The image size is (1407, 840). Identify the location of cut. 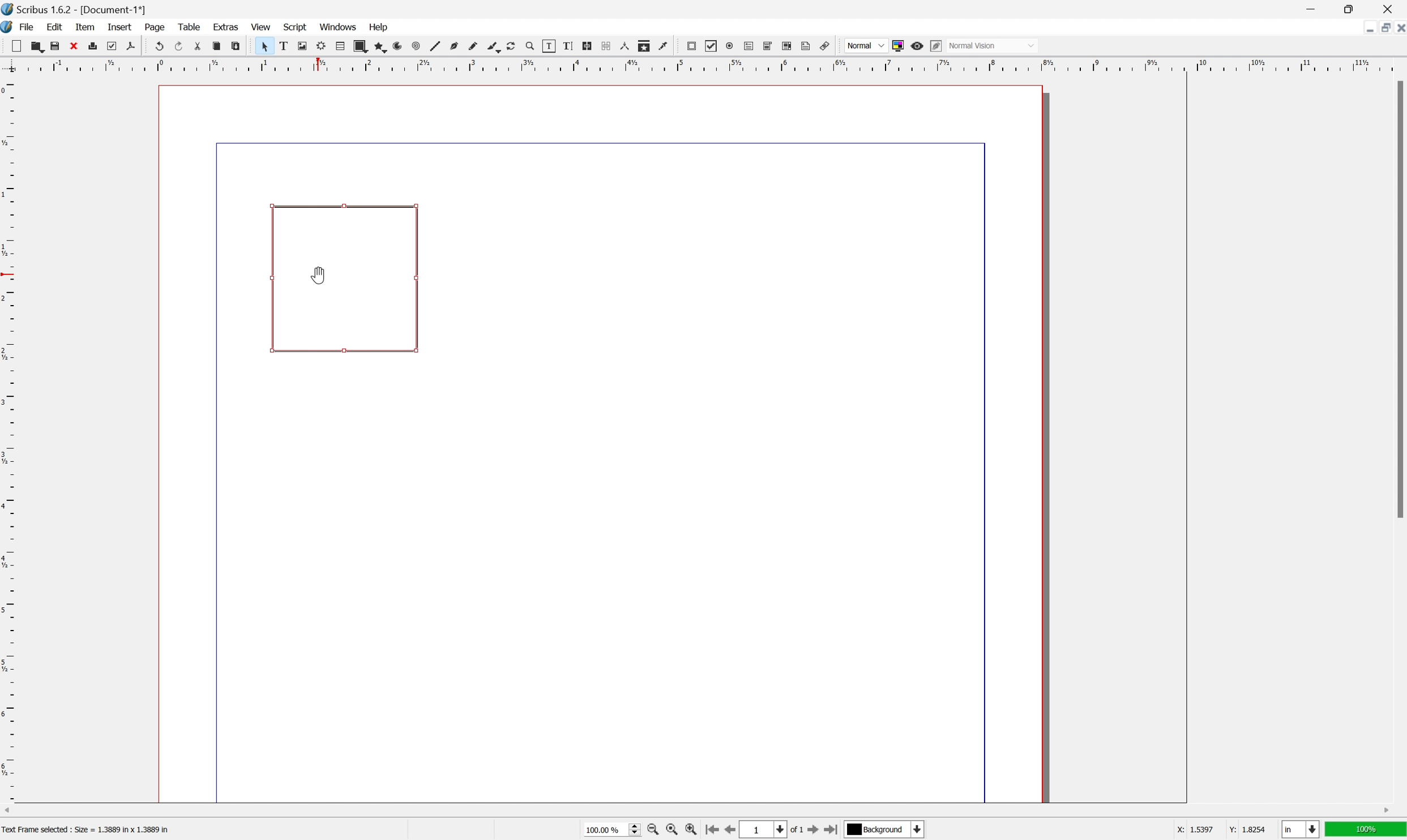
(198, 46).